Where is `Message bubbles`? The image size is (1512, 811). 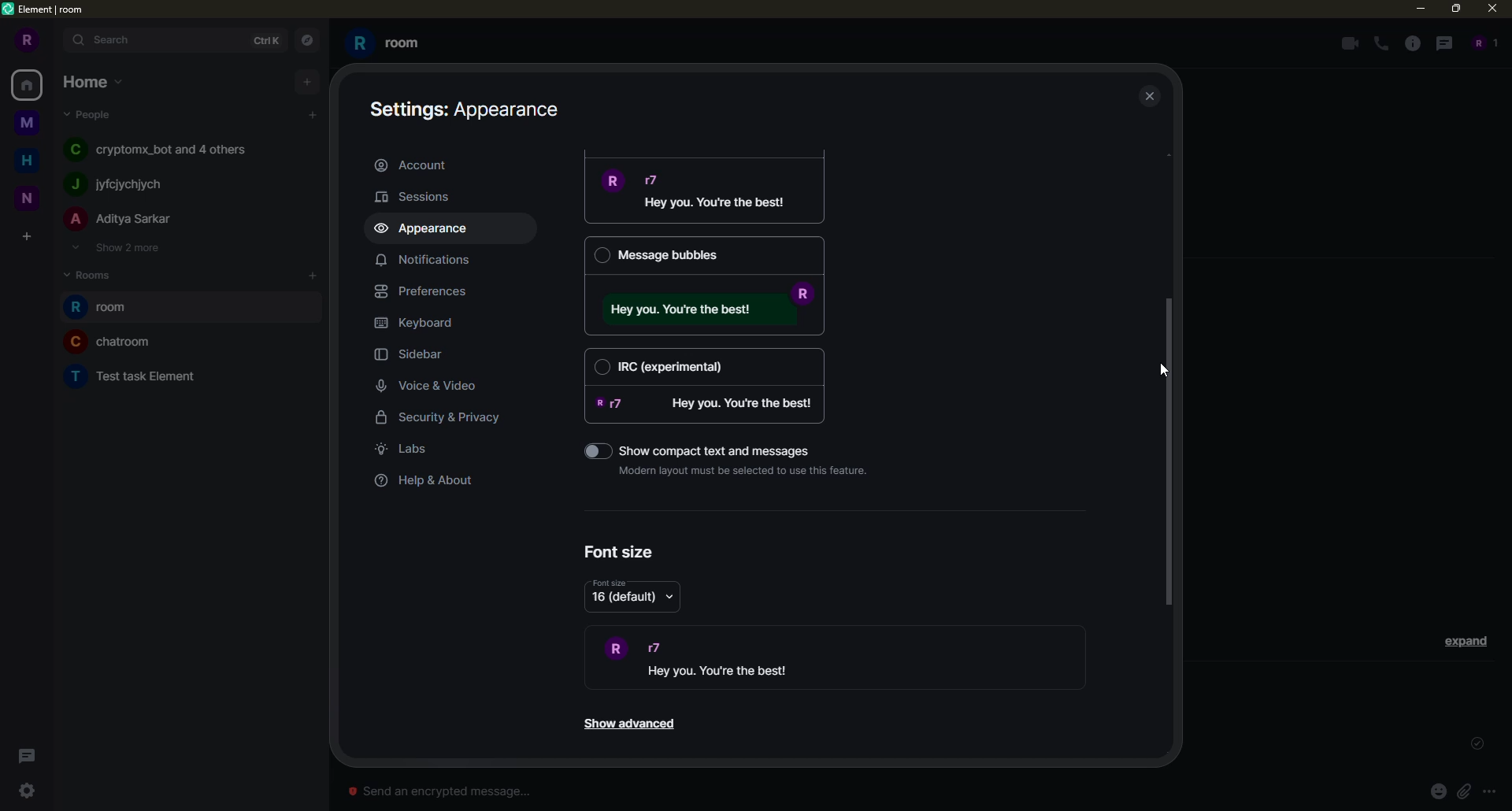
Message bubbles is located at coordinates (703, 255).